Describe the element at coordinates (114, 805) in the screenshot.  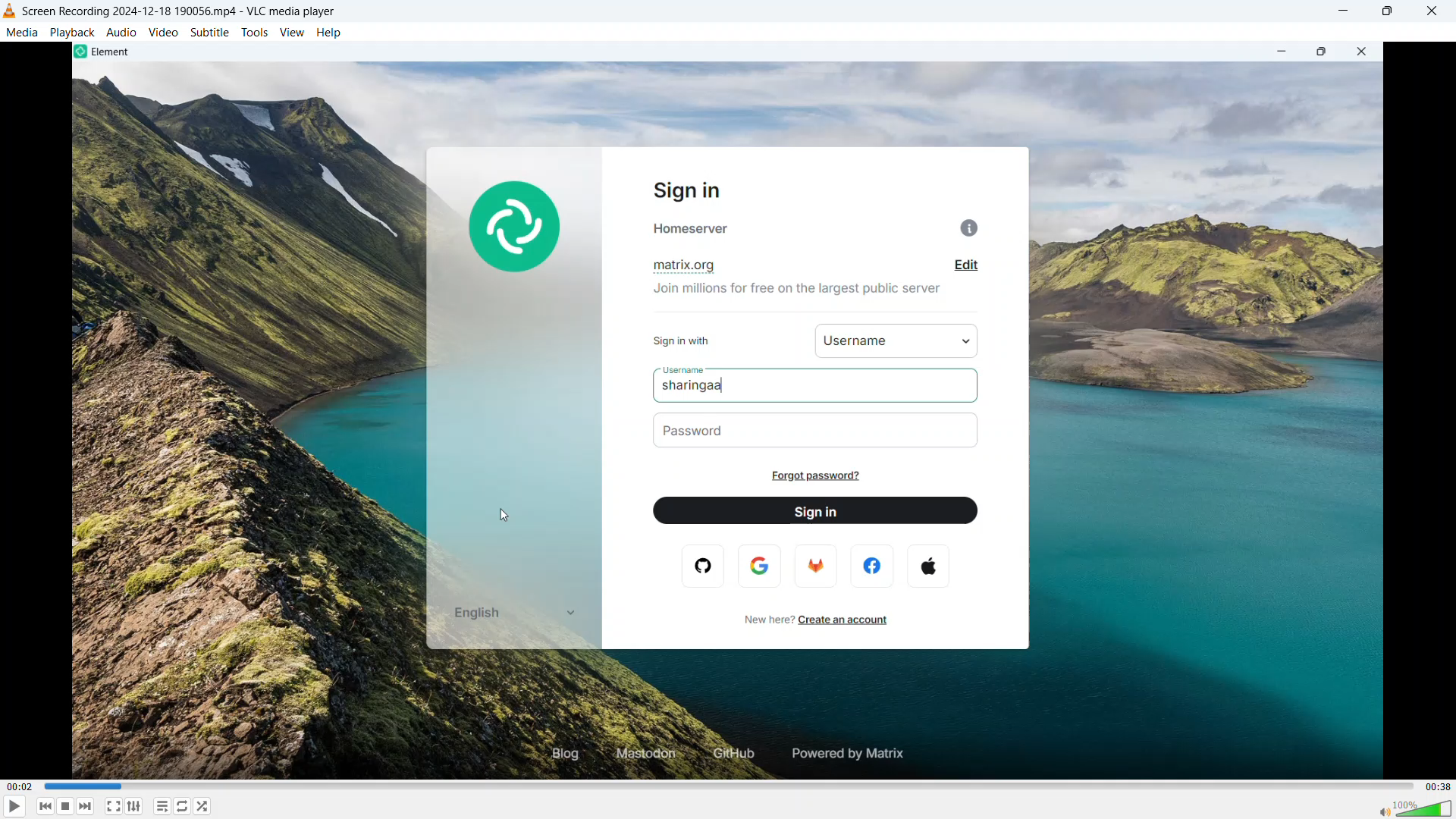
I see `Full screen ` at that location.